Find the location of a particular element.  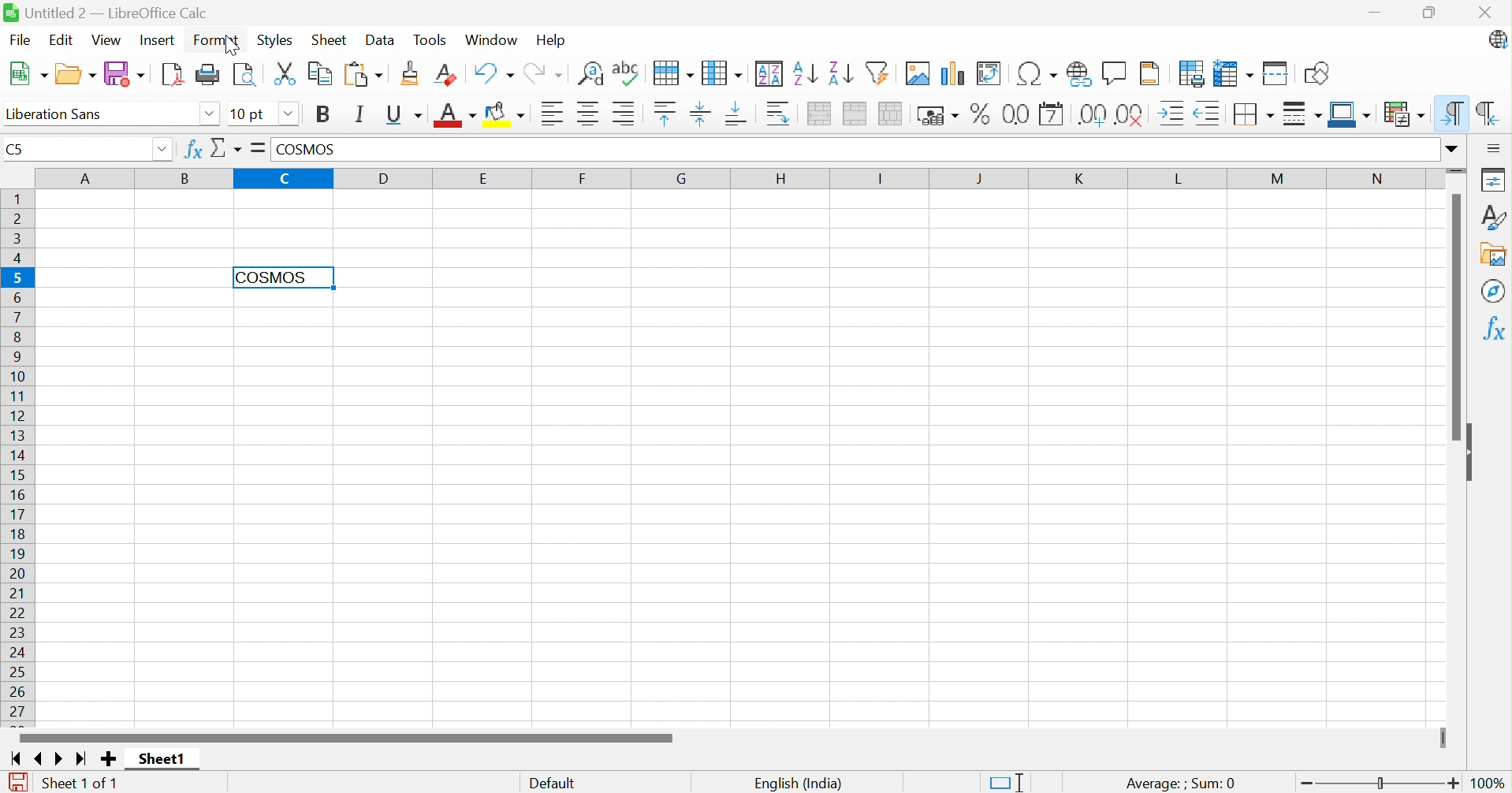

Right-To-Left is located at coordinates (1490, 115).